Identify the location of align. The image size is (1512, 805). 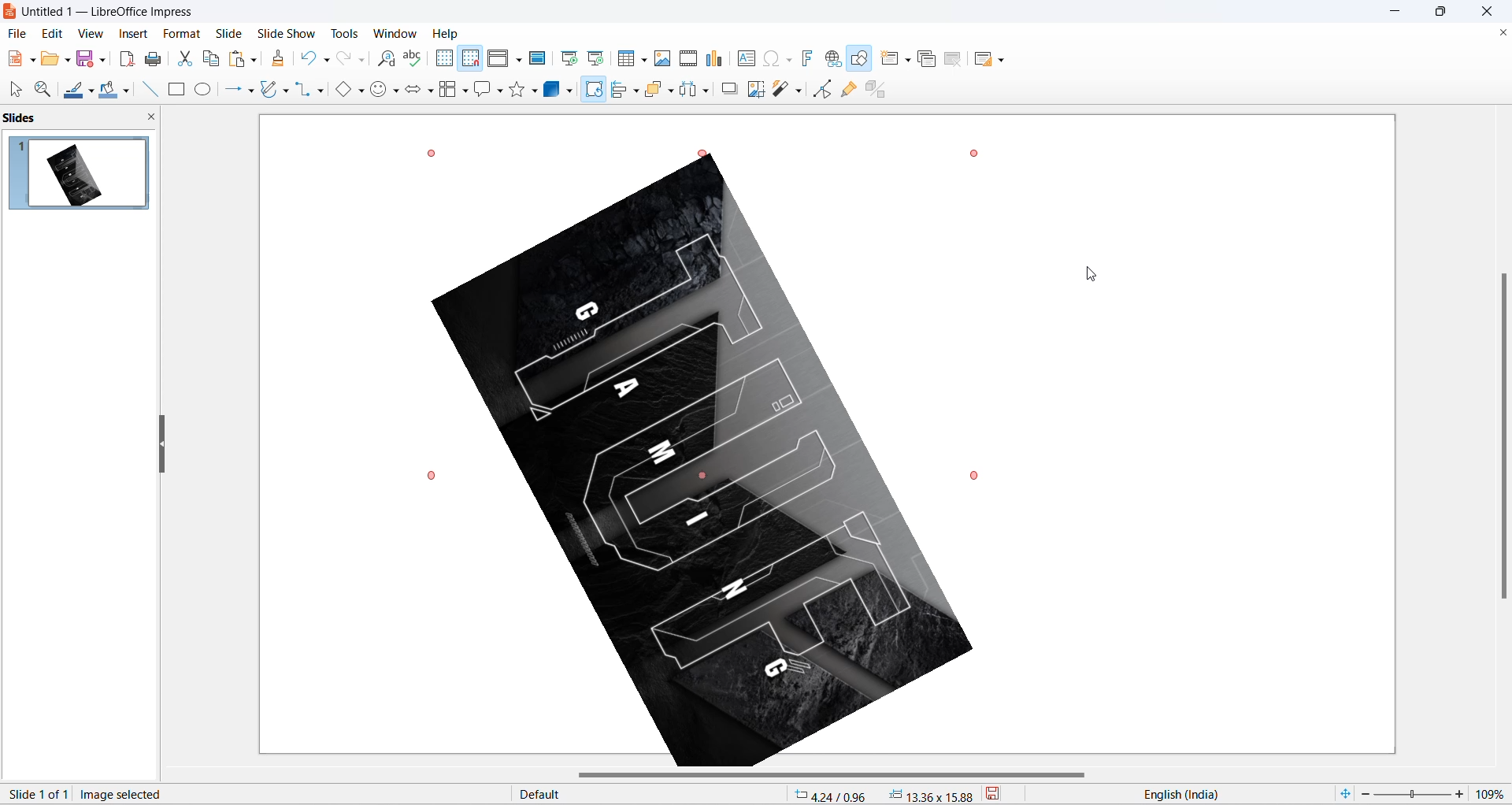
(621, 90).